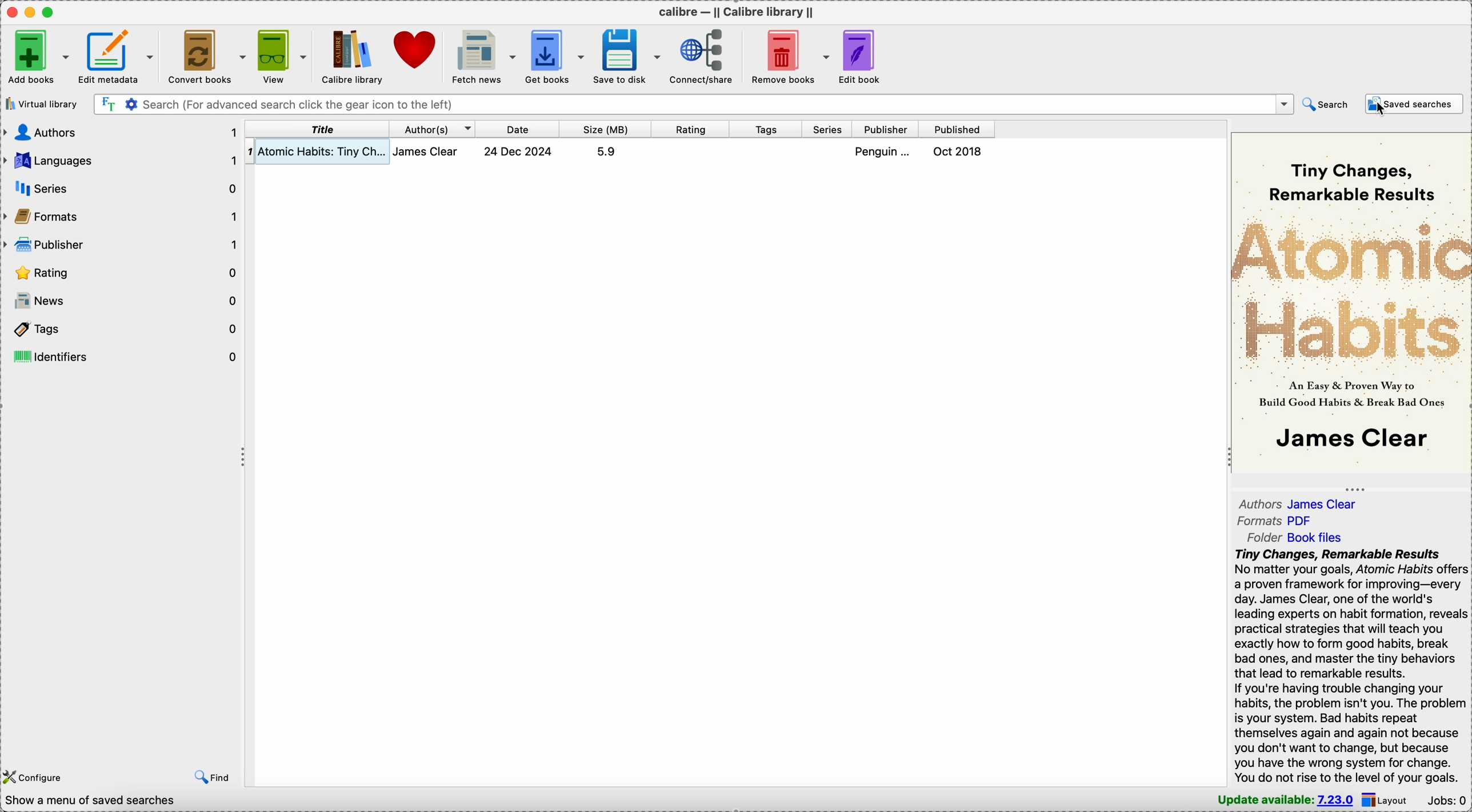 The width and height of the screenshot is (1472, 812). I want to click on toggle expand/contract, so click(1355, 489).